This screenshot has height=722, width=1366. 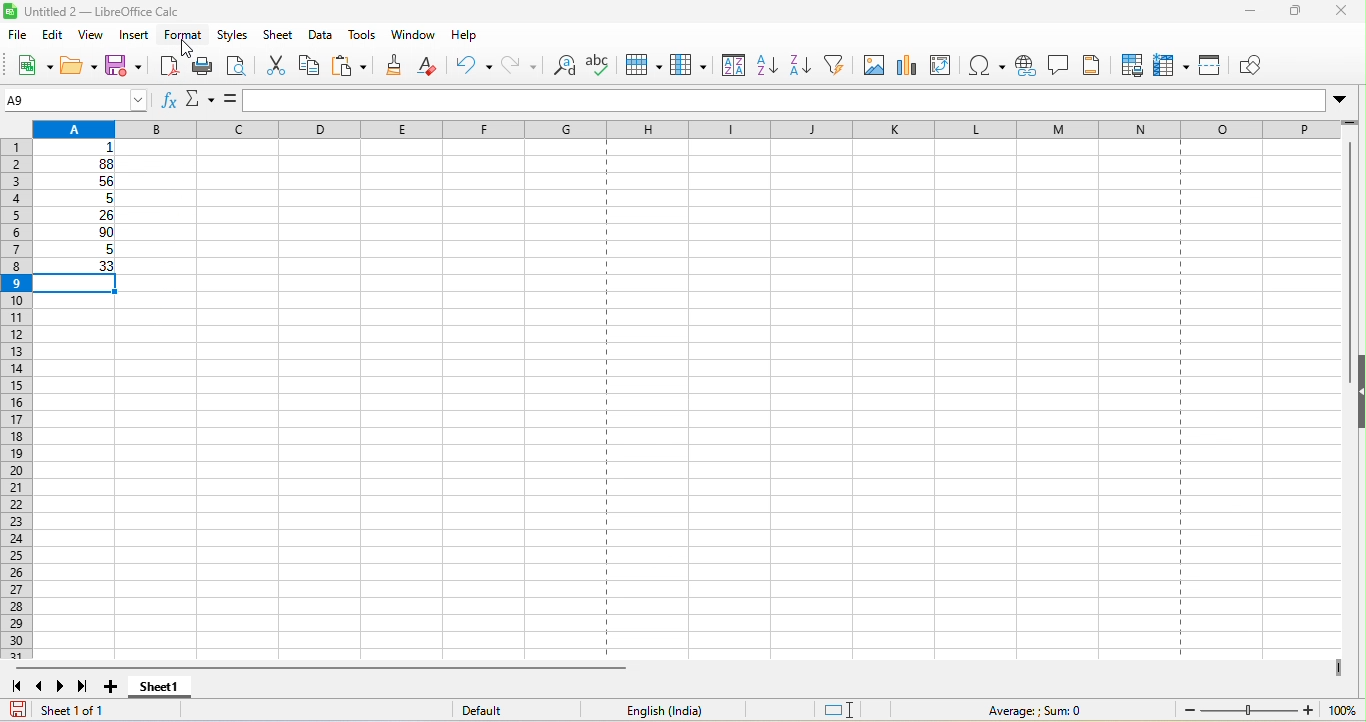 What do you see at coordinates (474, 65) in the screenshot?
I see `undo` at bounding box center [474, 65].